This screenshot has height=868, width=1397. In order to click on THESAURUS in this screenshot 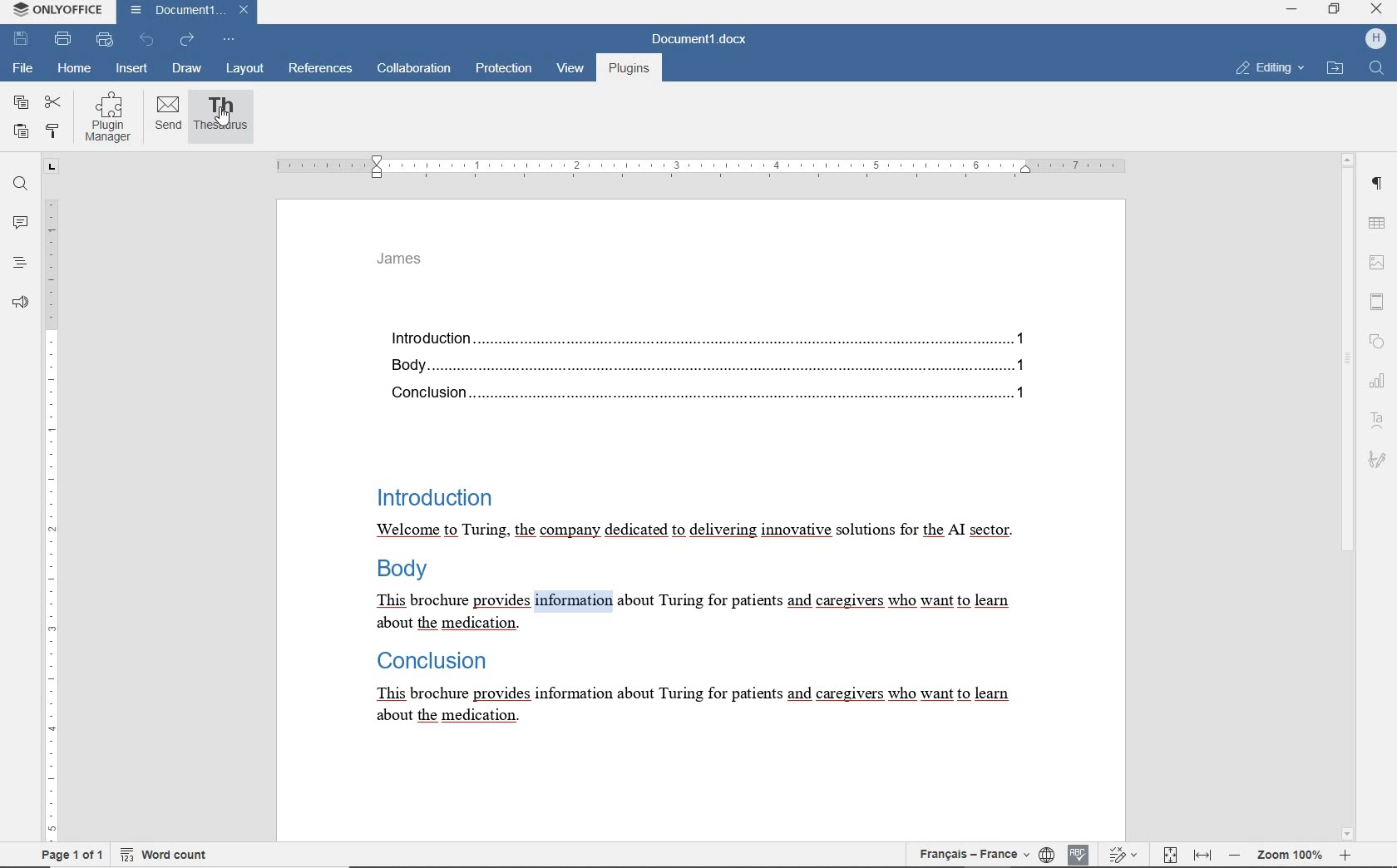, I will do `click(222, 117)`.